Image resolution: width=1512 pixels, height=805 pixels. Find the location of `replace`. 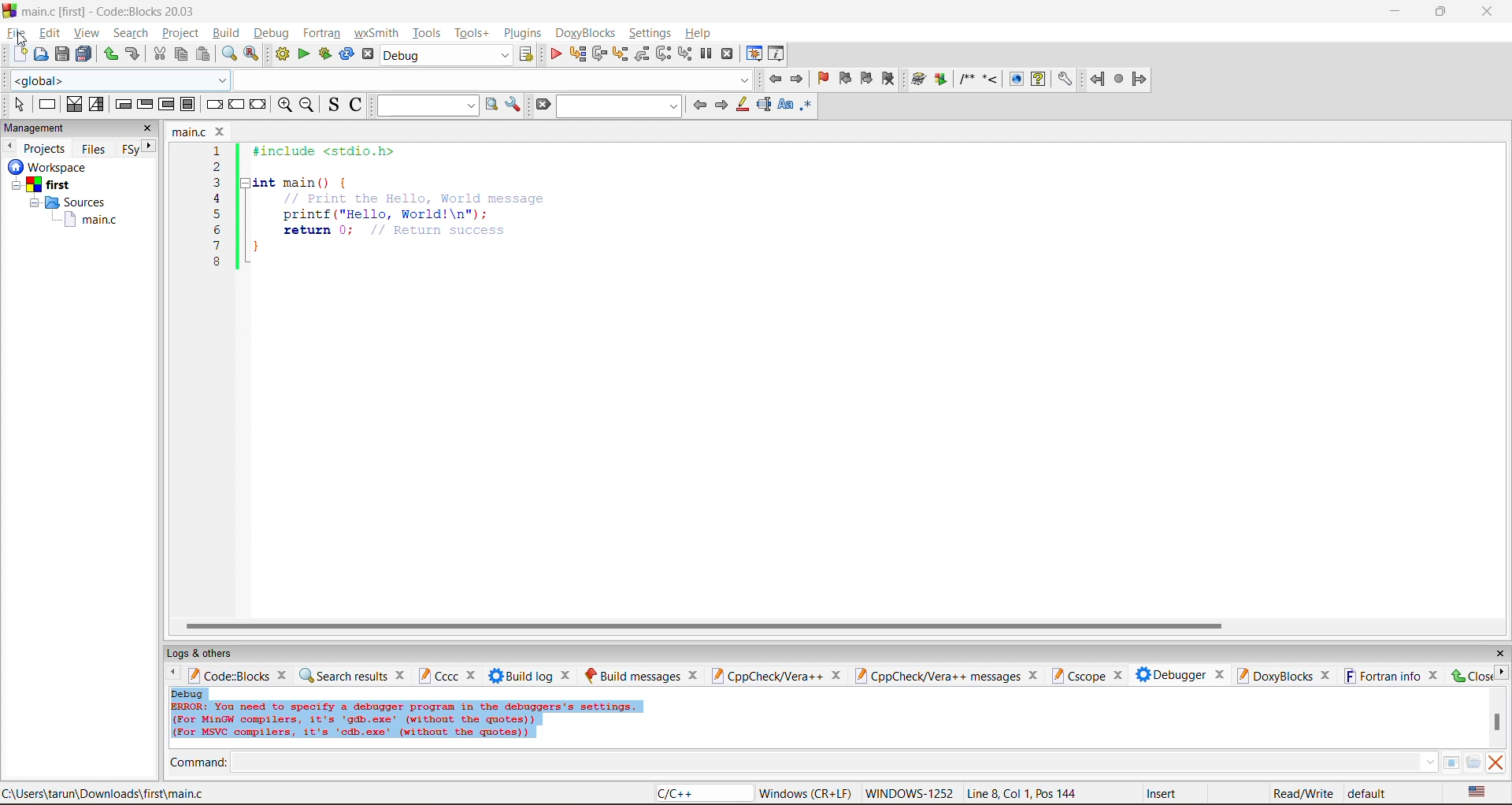

replace is located at coordinates (252, 54).